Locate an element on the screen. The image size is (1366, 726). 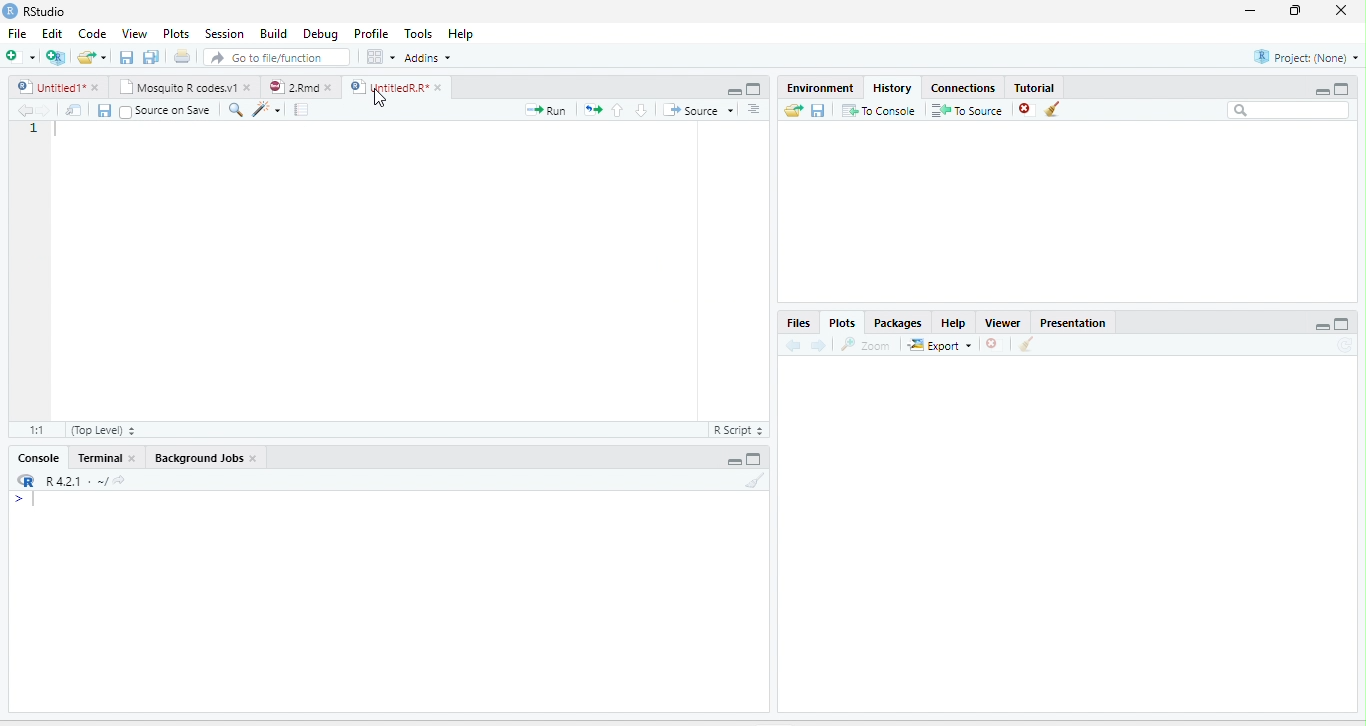
Maximize is located at coordinates (755, 459).